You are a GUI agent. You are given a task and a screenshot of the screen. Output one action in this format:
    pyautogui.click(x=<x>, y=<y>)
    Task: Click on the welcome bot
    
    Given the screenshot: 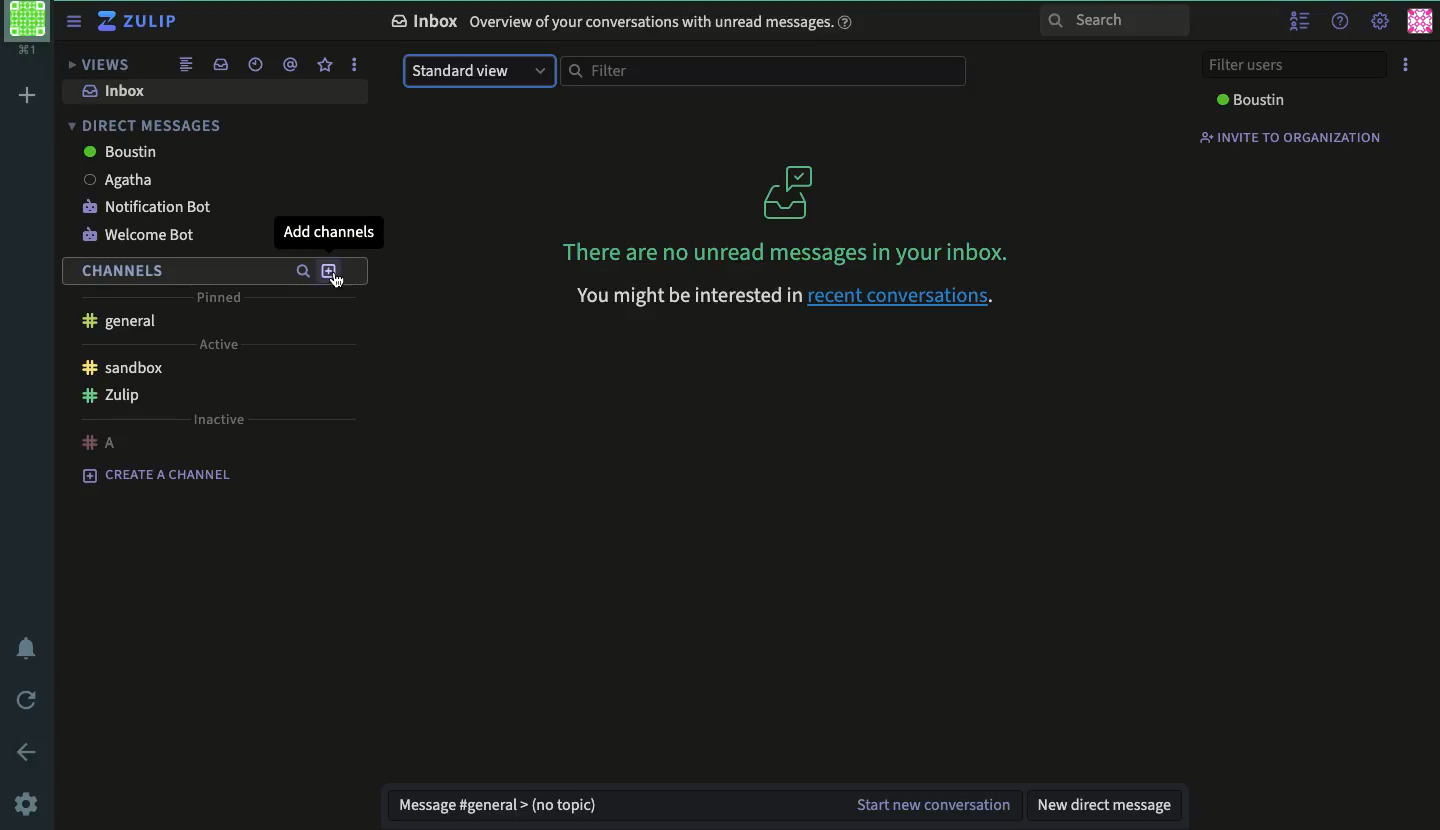 What is the action you would take?
    pyautogui.click(x=140, y=238)
    